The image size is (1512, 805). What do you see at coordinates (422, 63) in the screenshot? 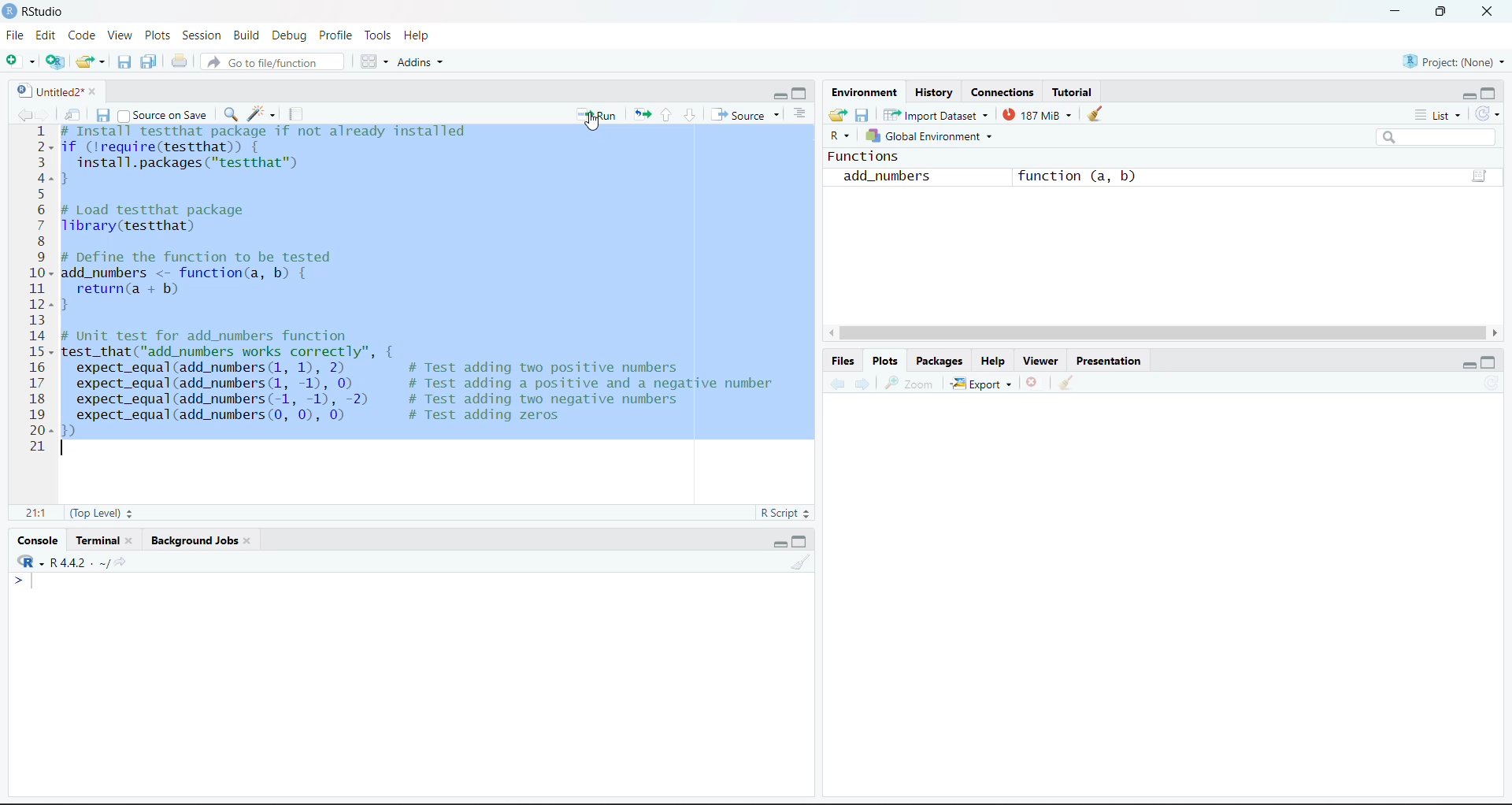
I see `Addins` at bounding box center [422, 63].